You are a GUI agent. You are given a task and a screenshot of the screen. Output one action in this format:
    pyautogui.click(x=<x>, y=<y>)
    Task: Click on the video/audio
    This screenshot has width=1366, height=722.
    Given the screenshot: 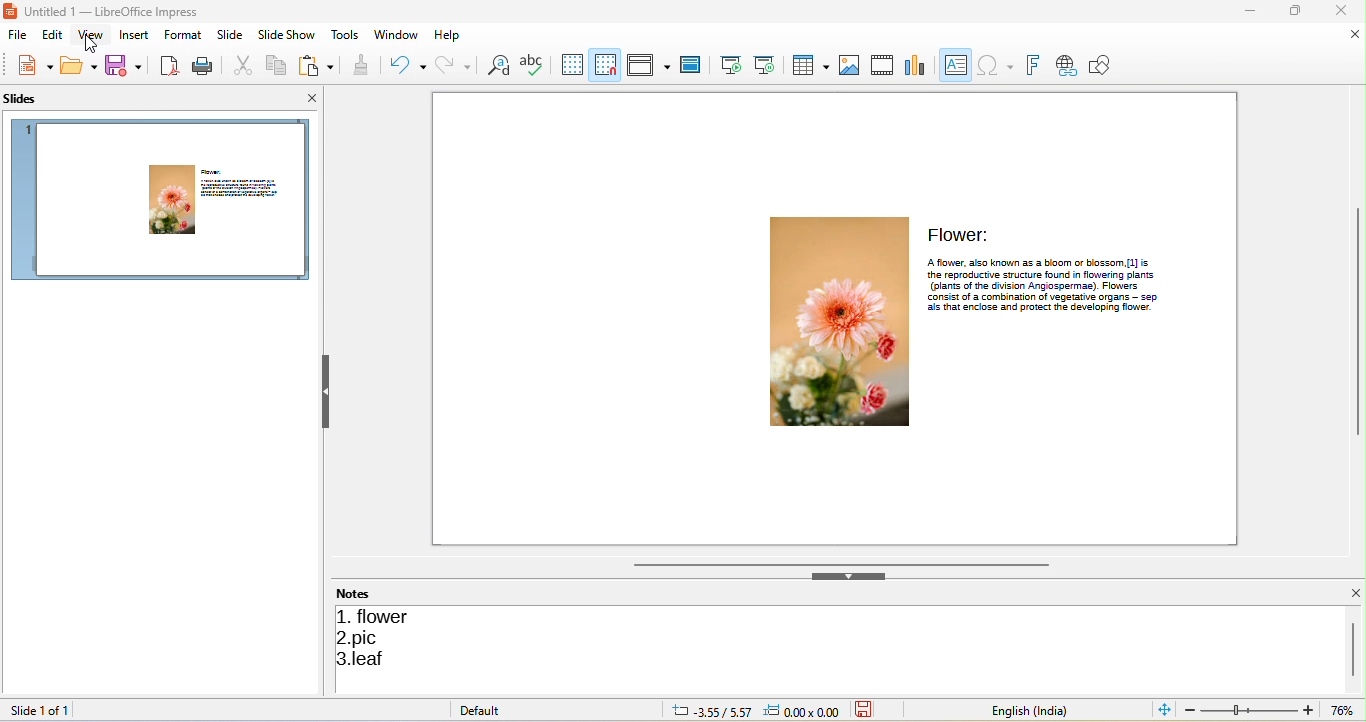 What is the action you would take?
    pyautogui.click(x=881, y=63)
    